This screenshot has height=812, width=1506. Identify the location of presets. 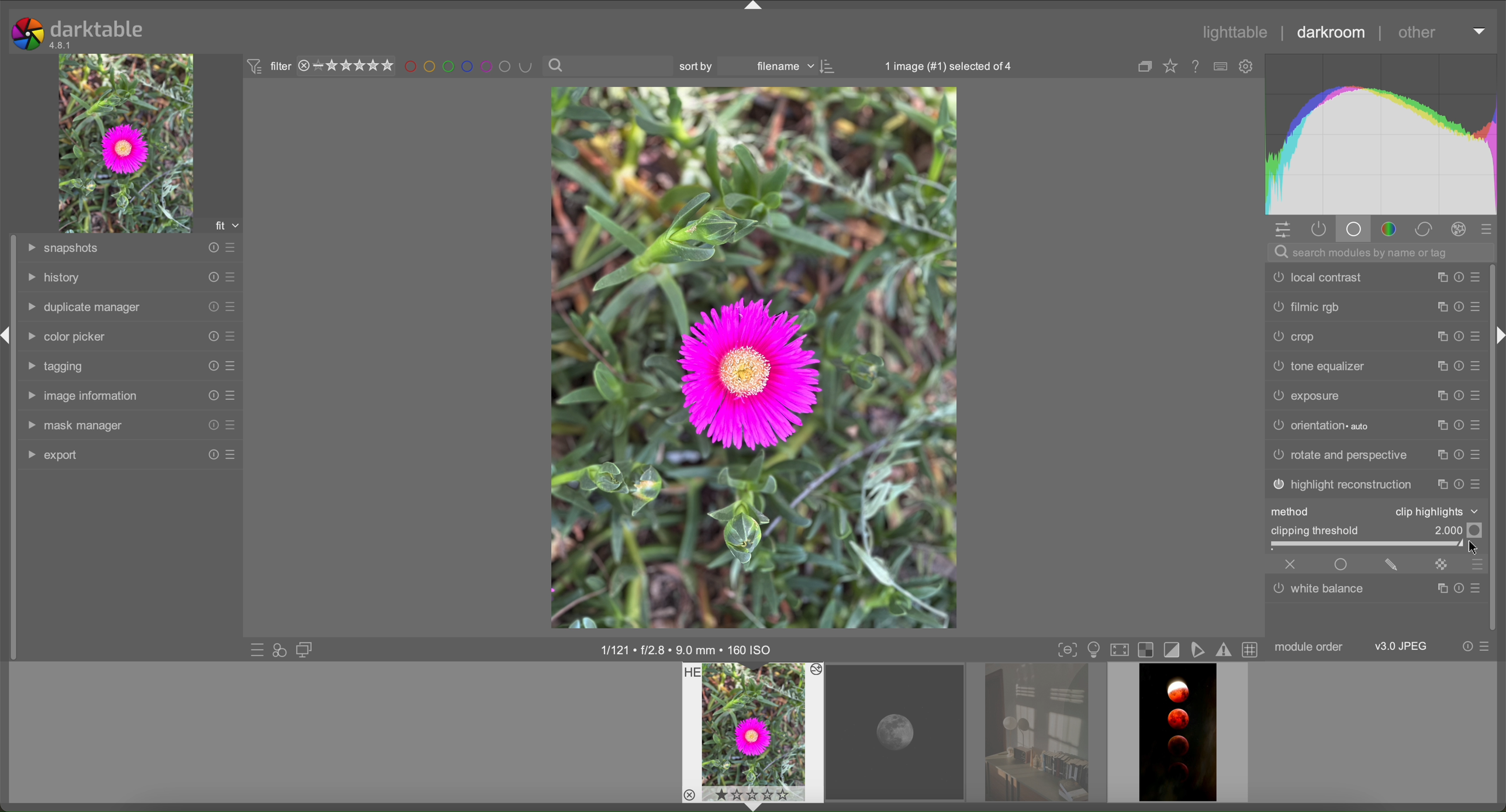
(231, 425).